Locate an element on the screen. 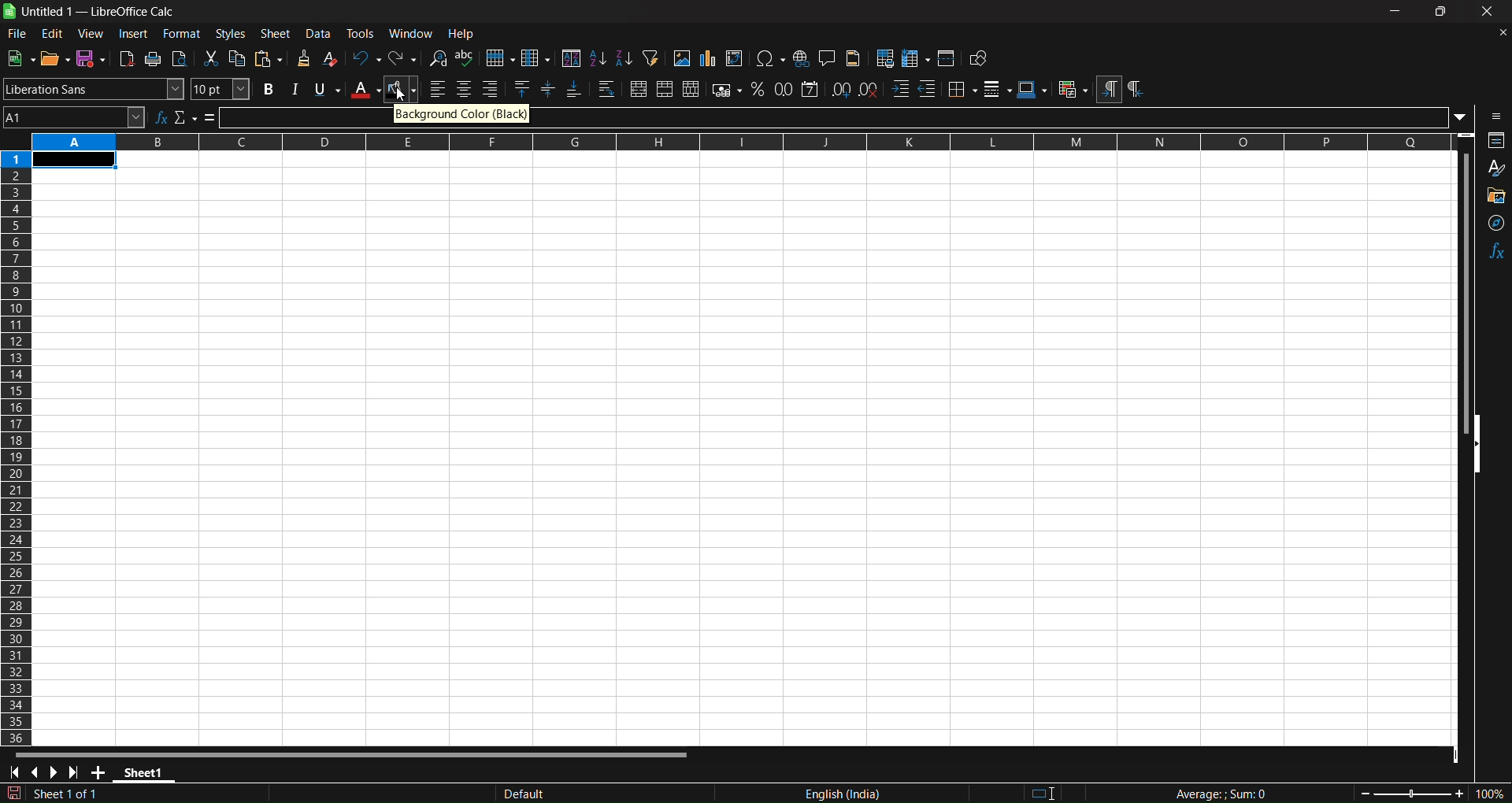  export directly as pdf is located at coordinates (125, 58).